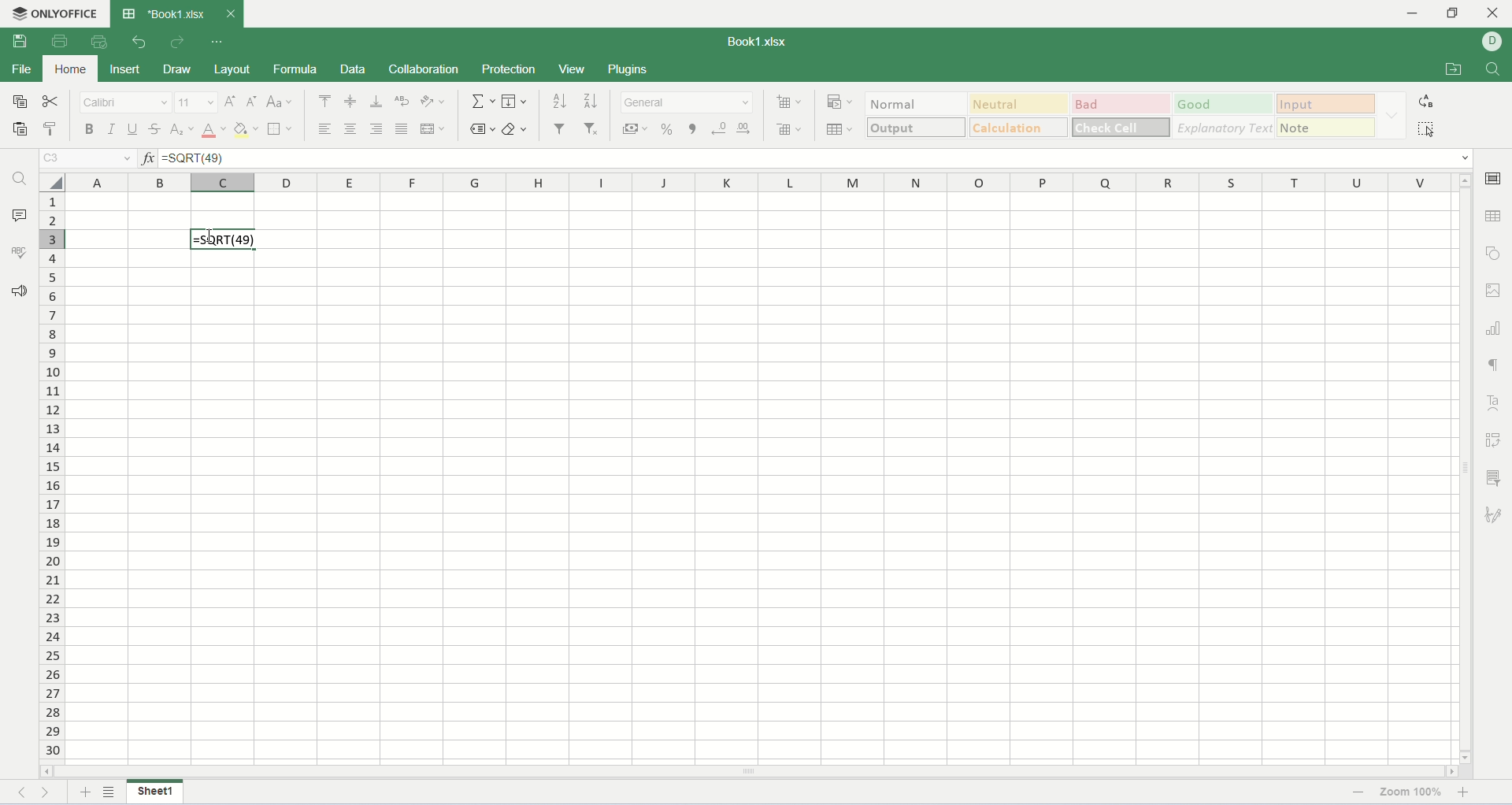 The image size is (1512, 805). I want to click on font size, so click(197, 102).